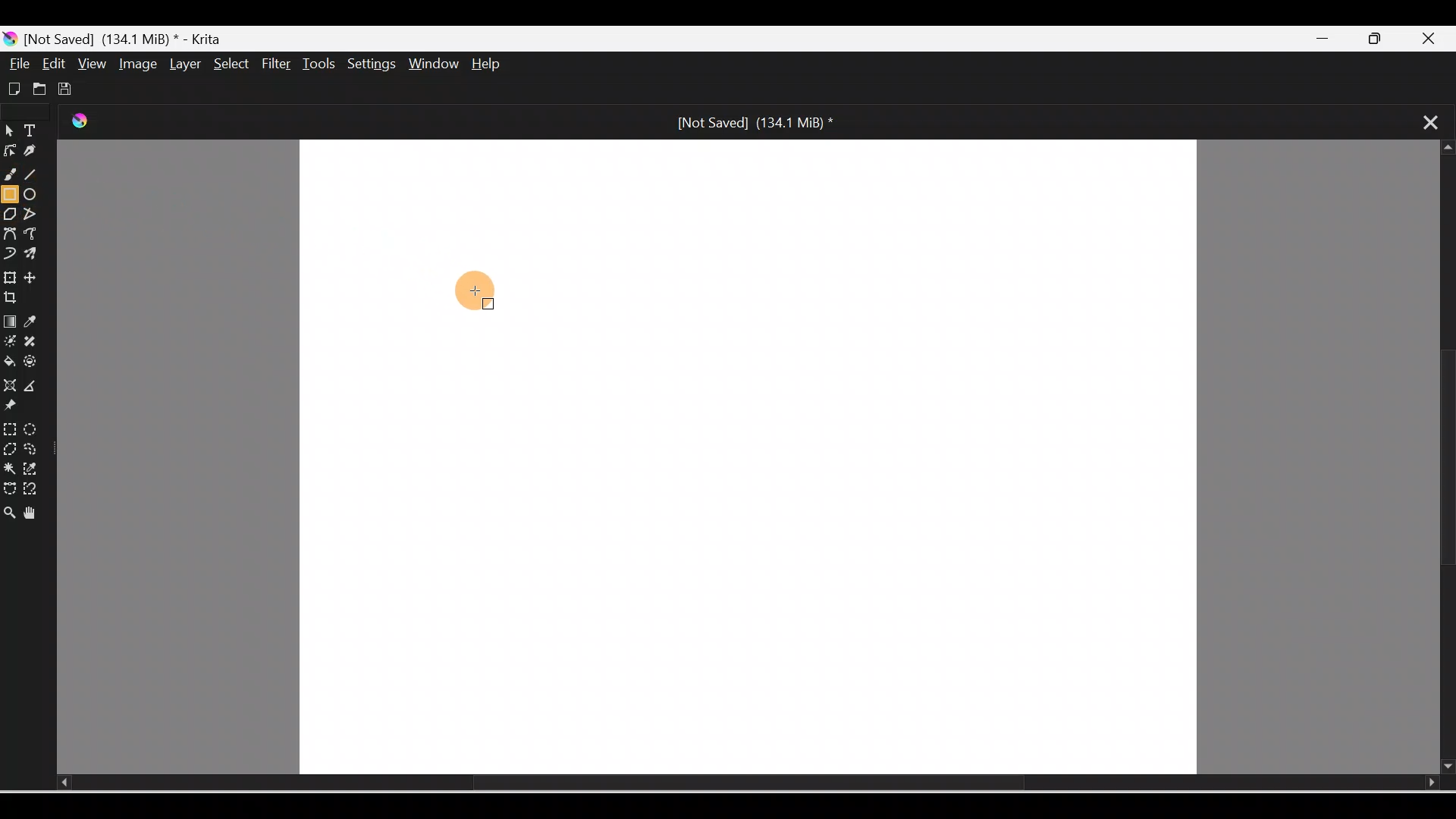  Describe the element at coordinates (12, 177) in the screenshot. I see `Freehand brush tool` at that location.